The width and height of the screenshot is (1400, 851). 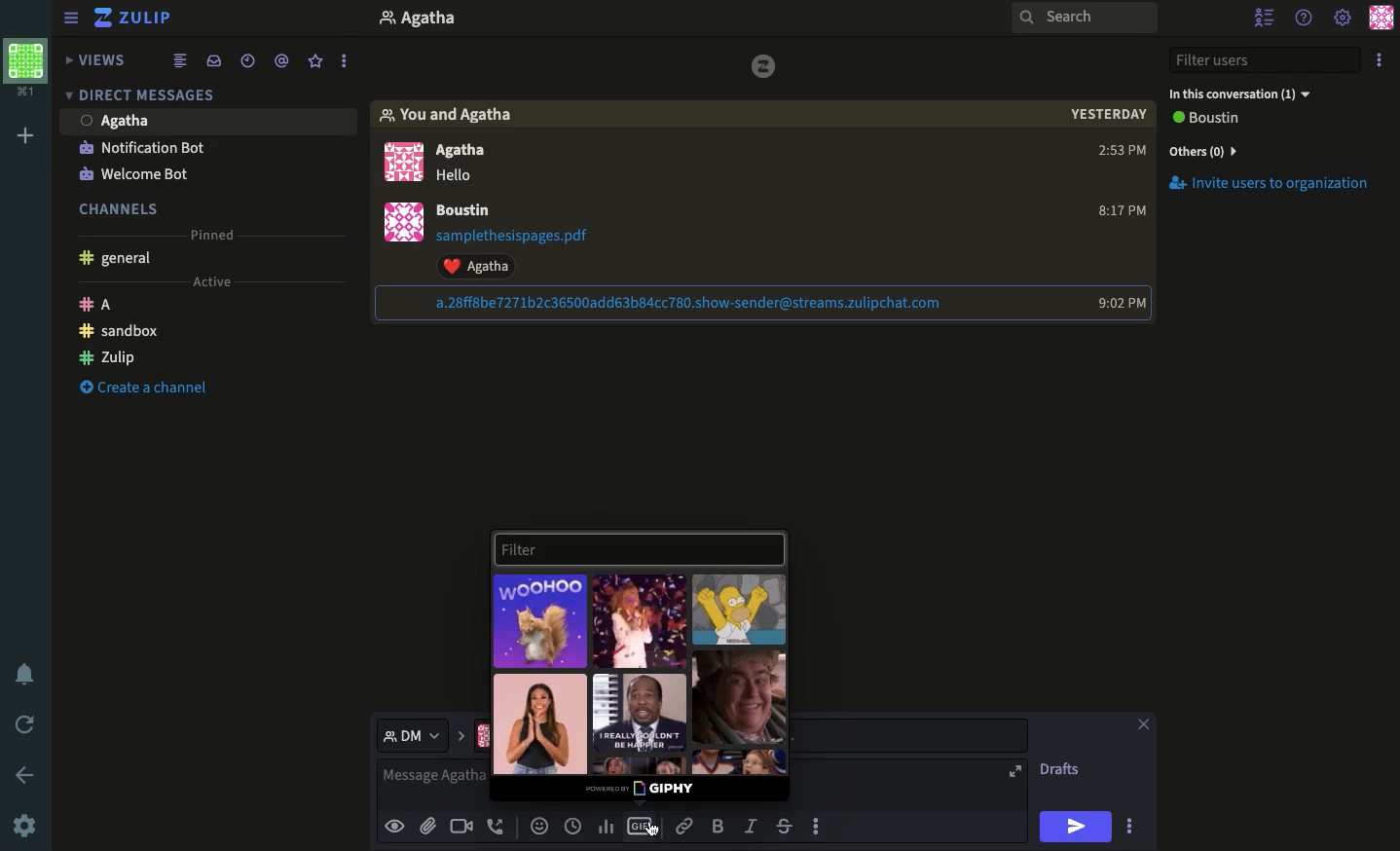 What do you see at coordinates (453, 115) in the screenshot?
I see `You and user` at bounding box center [453, 115].